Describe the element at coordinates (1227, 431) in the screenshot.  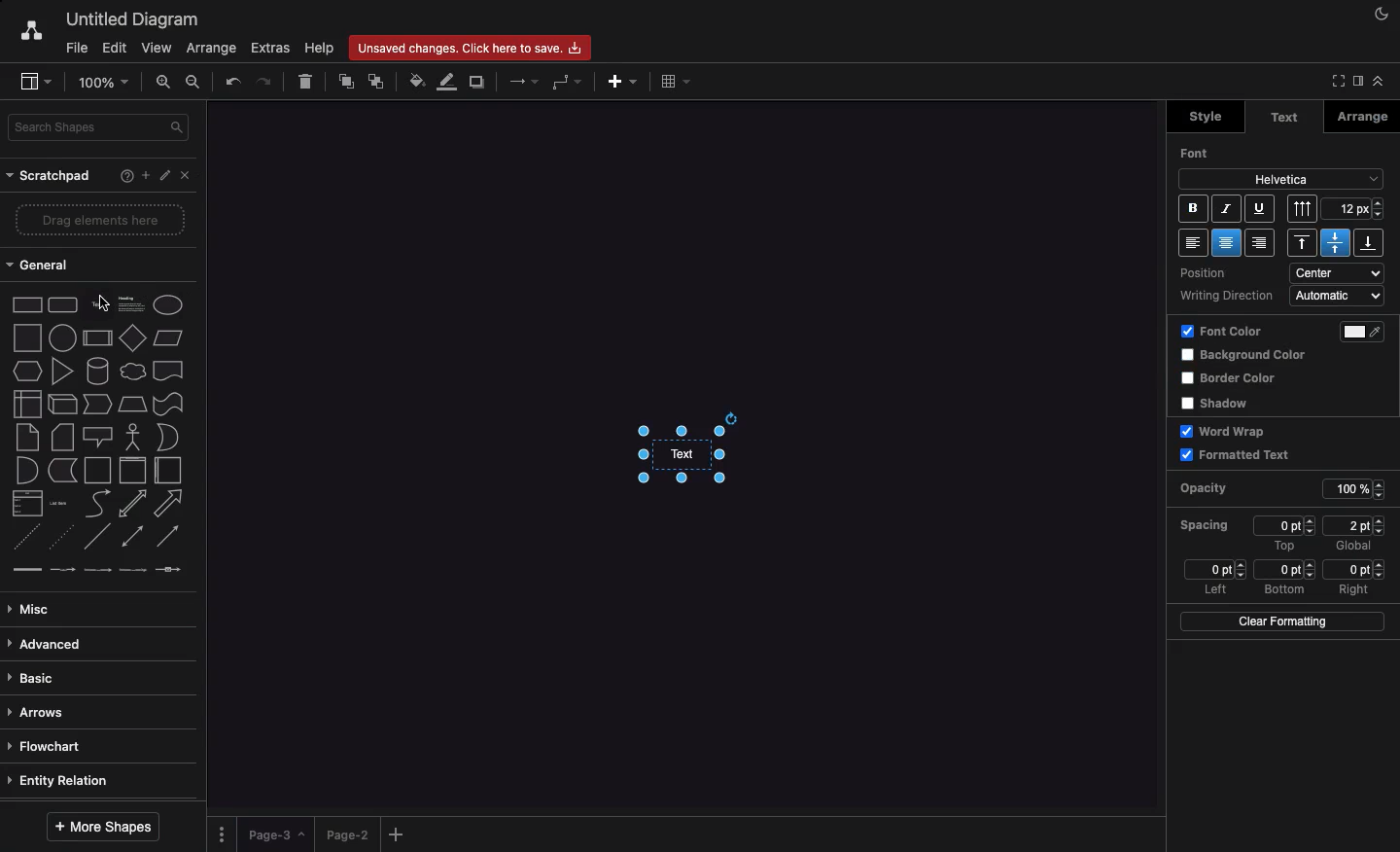
I see `Word wrap` at that location.